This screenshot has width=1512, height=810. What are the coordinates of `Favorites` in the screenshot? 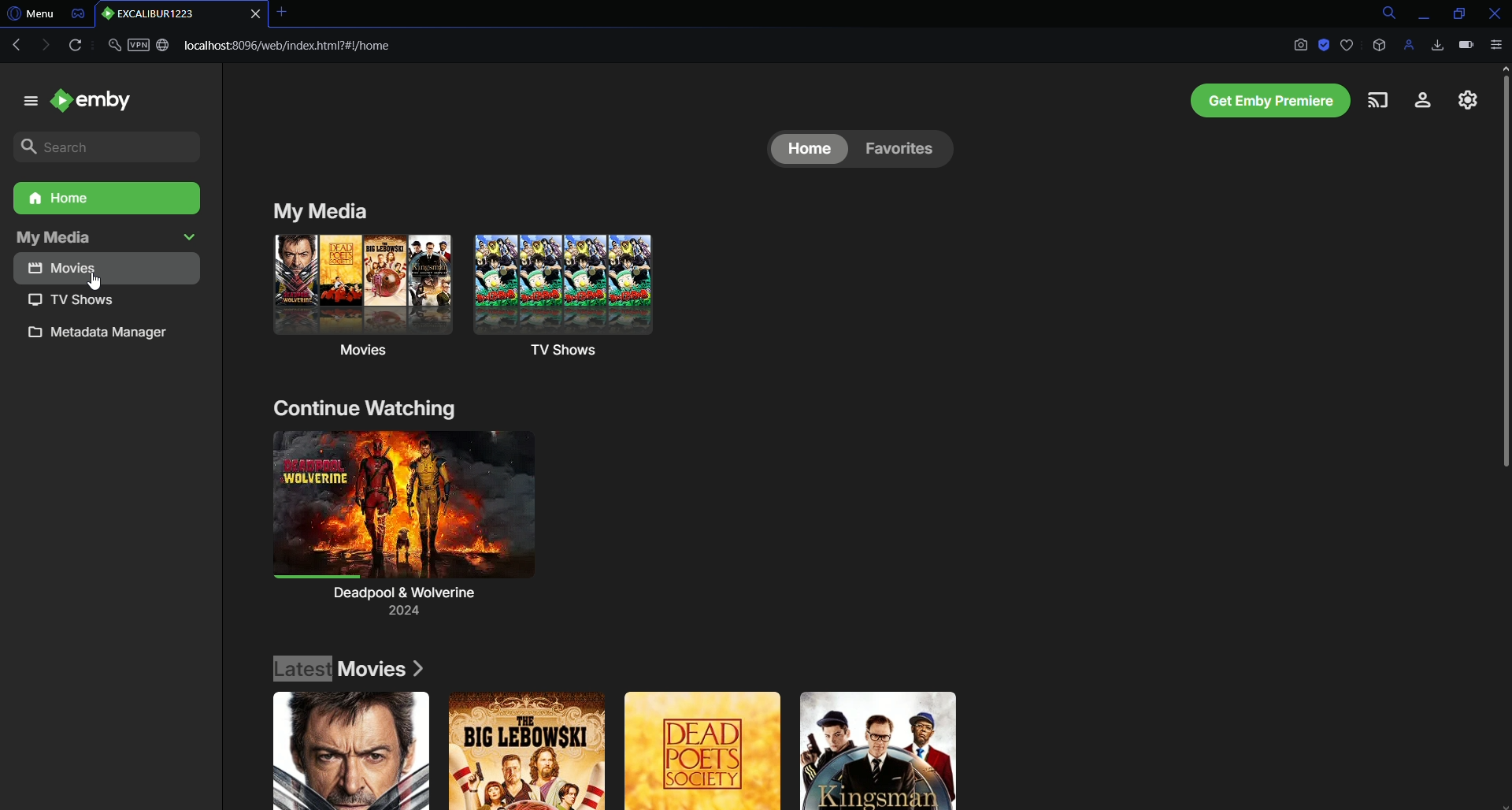 It's located at (910, 149).